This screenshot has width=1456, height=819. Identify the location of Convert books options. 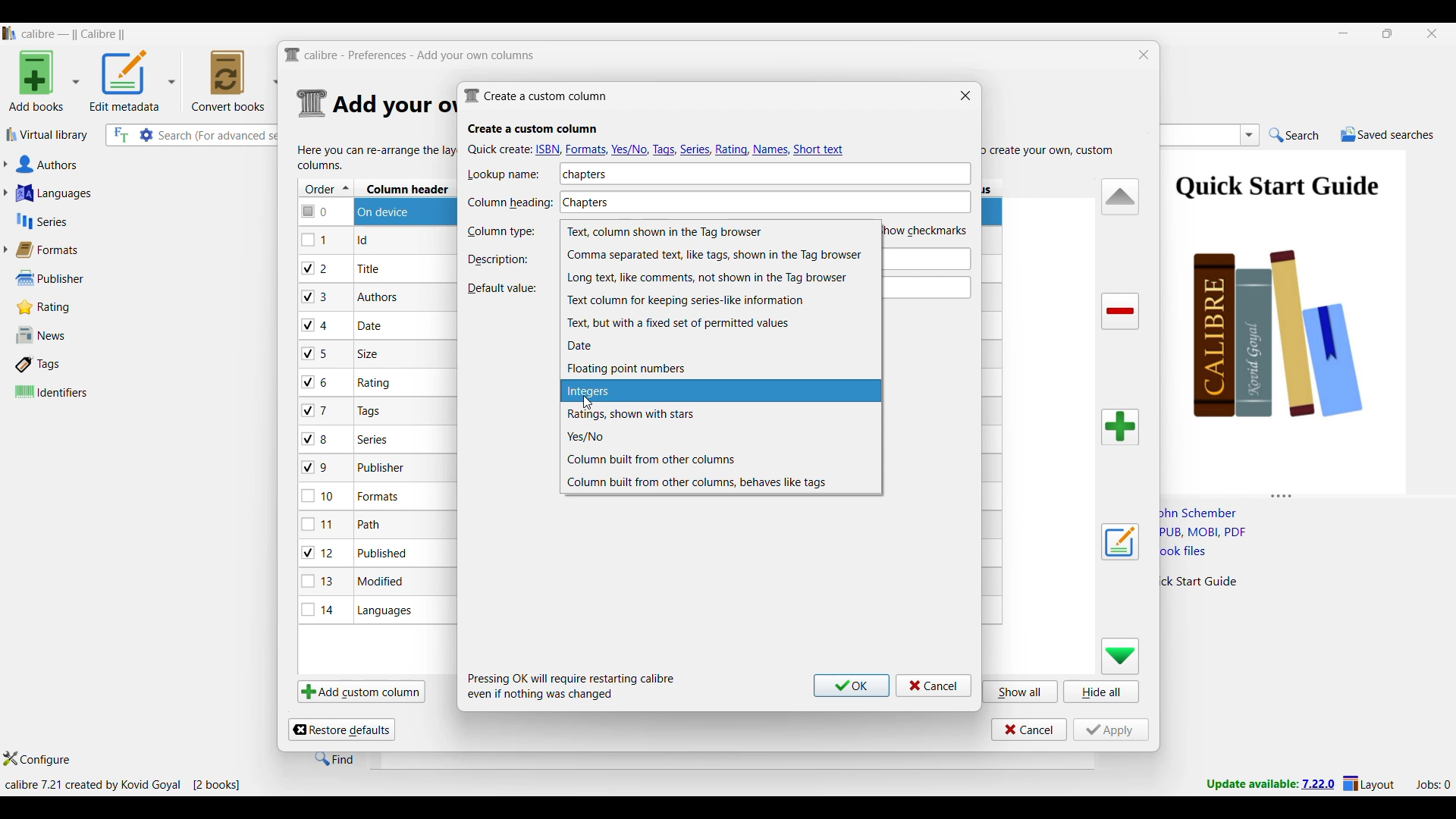
(235, 80).